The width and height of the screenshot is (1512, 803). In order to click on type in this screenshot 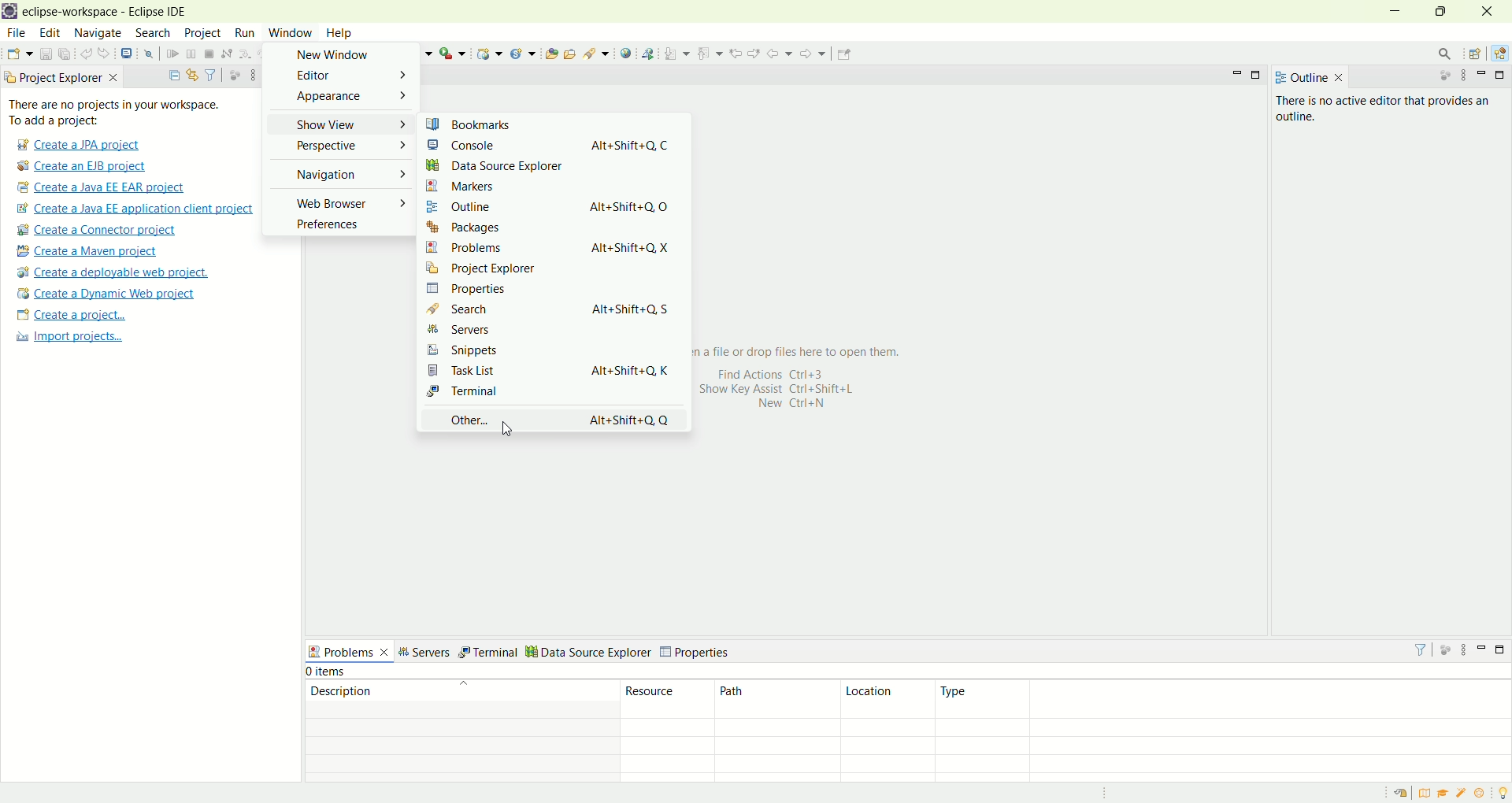, I will do `click(982, 700)`.